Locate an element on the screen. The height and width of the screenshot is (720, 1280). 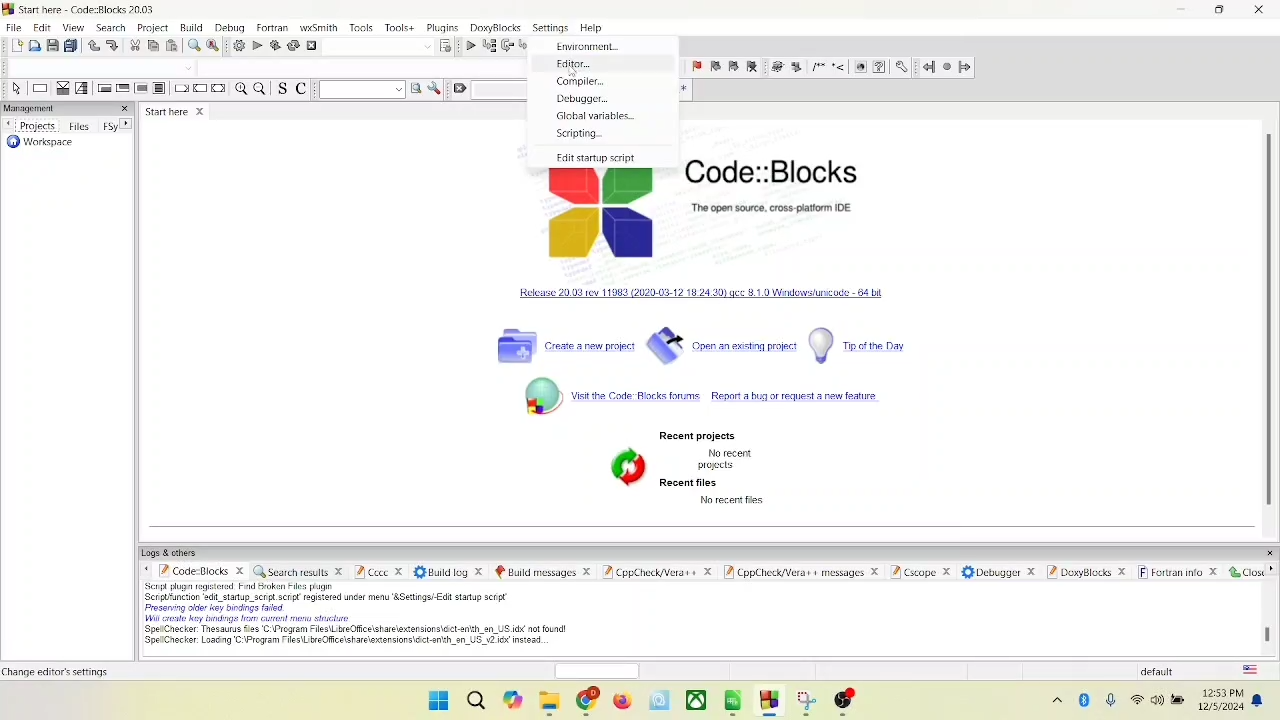
language is located at coordinates (1249, 669).